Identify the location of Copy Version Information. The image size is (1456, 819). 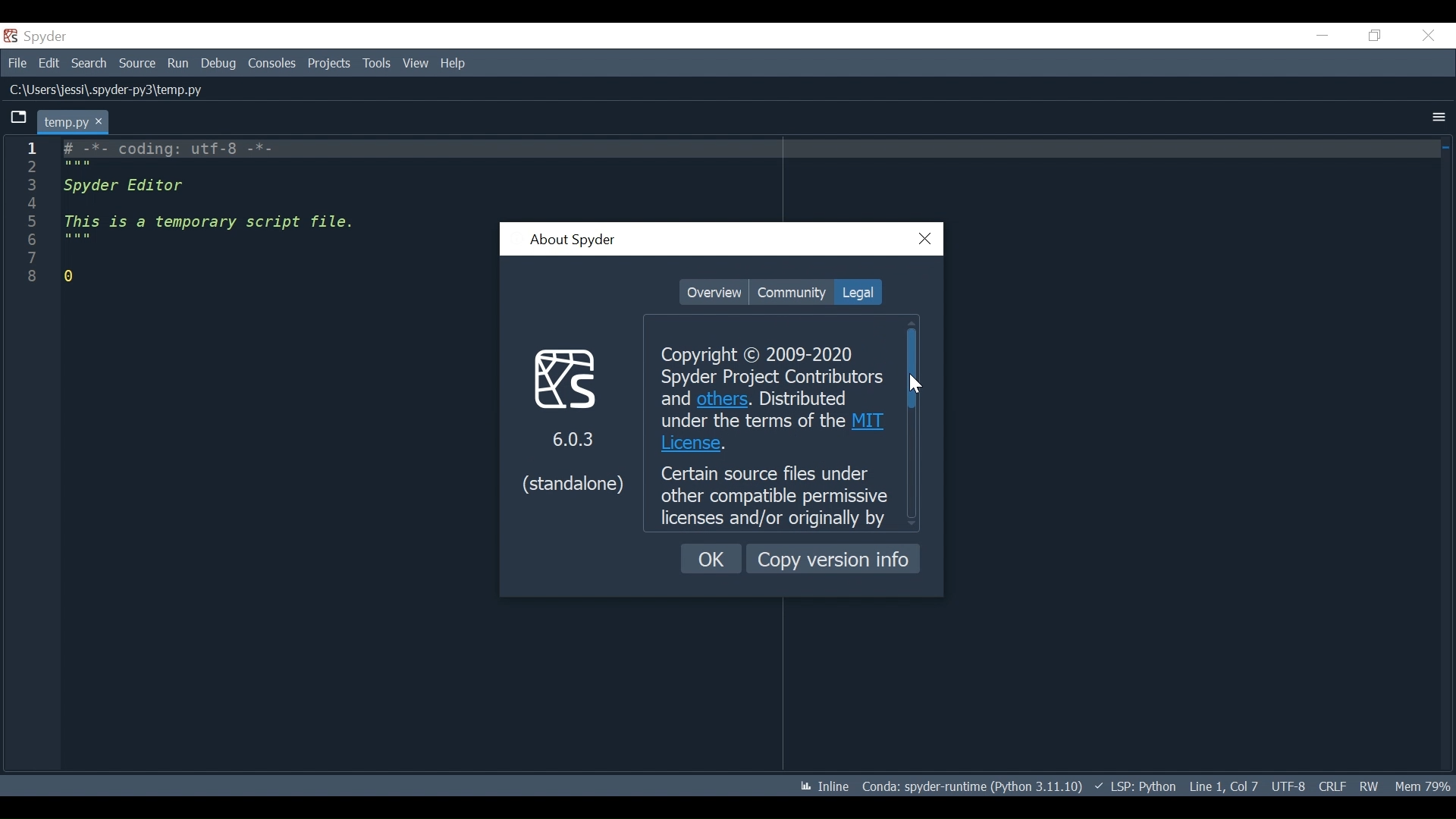
(833, 558).